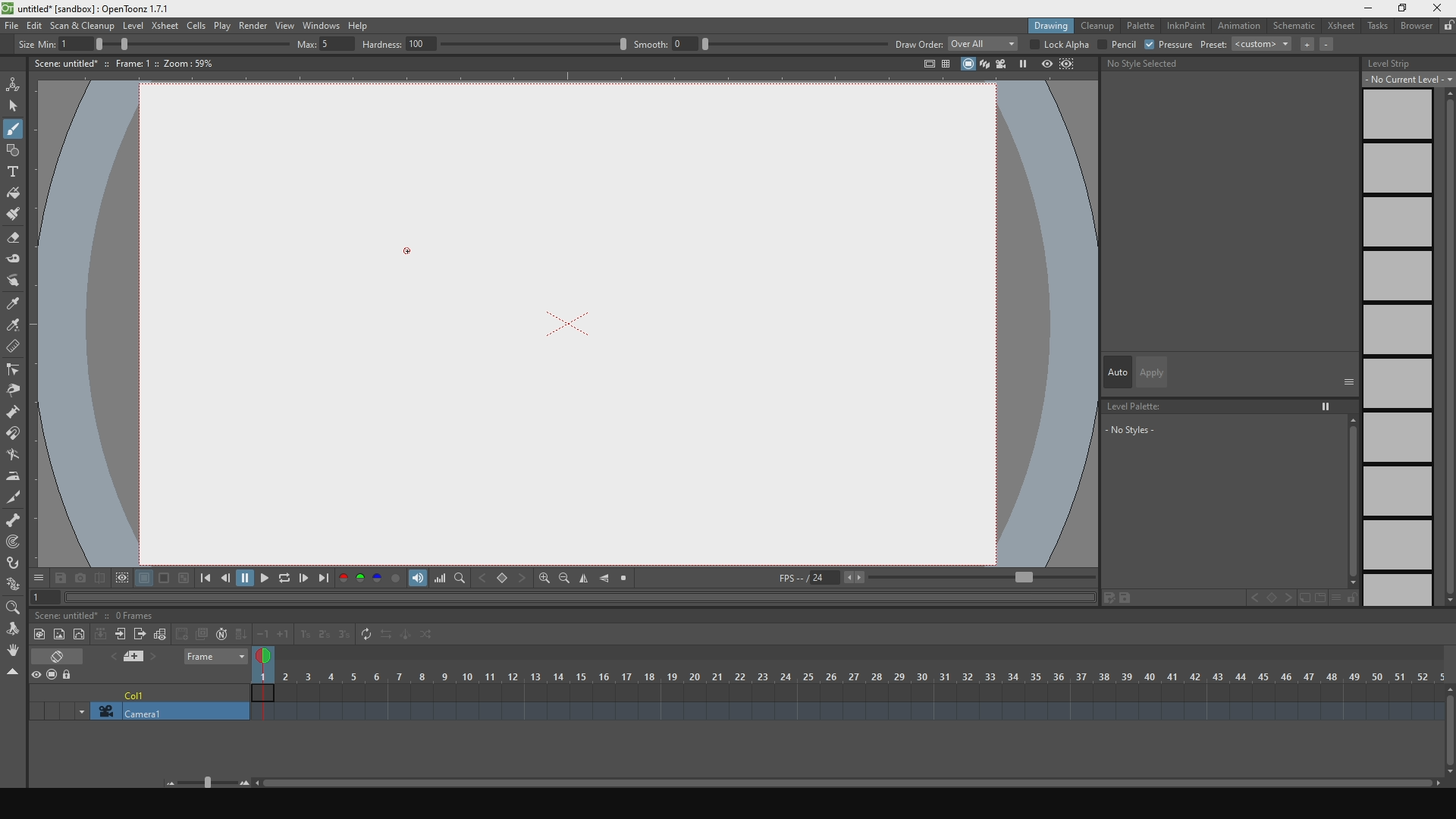 Image resolution: width=1456 pixels, height=819 pixels. I want to click on brush, so click(14, 215).